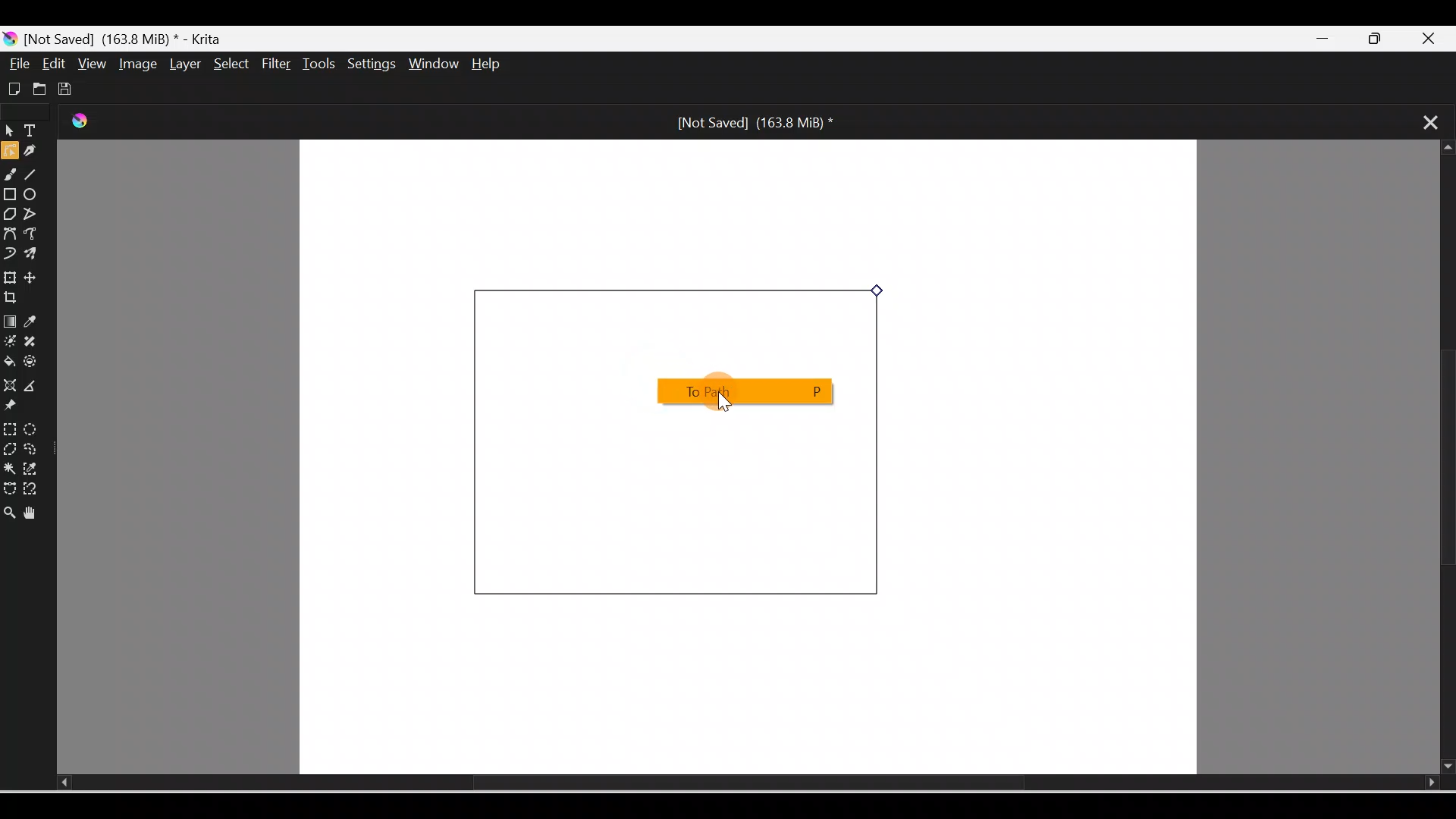 The width and height of the screenshot is (1456, 819). Describe the element at coordinates (1326, 39) in the screenshot. I see `Minimize` at that location.